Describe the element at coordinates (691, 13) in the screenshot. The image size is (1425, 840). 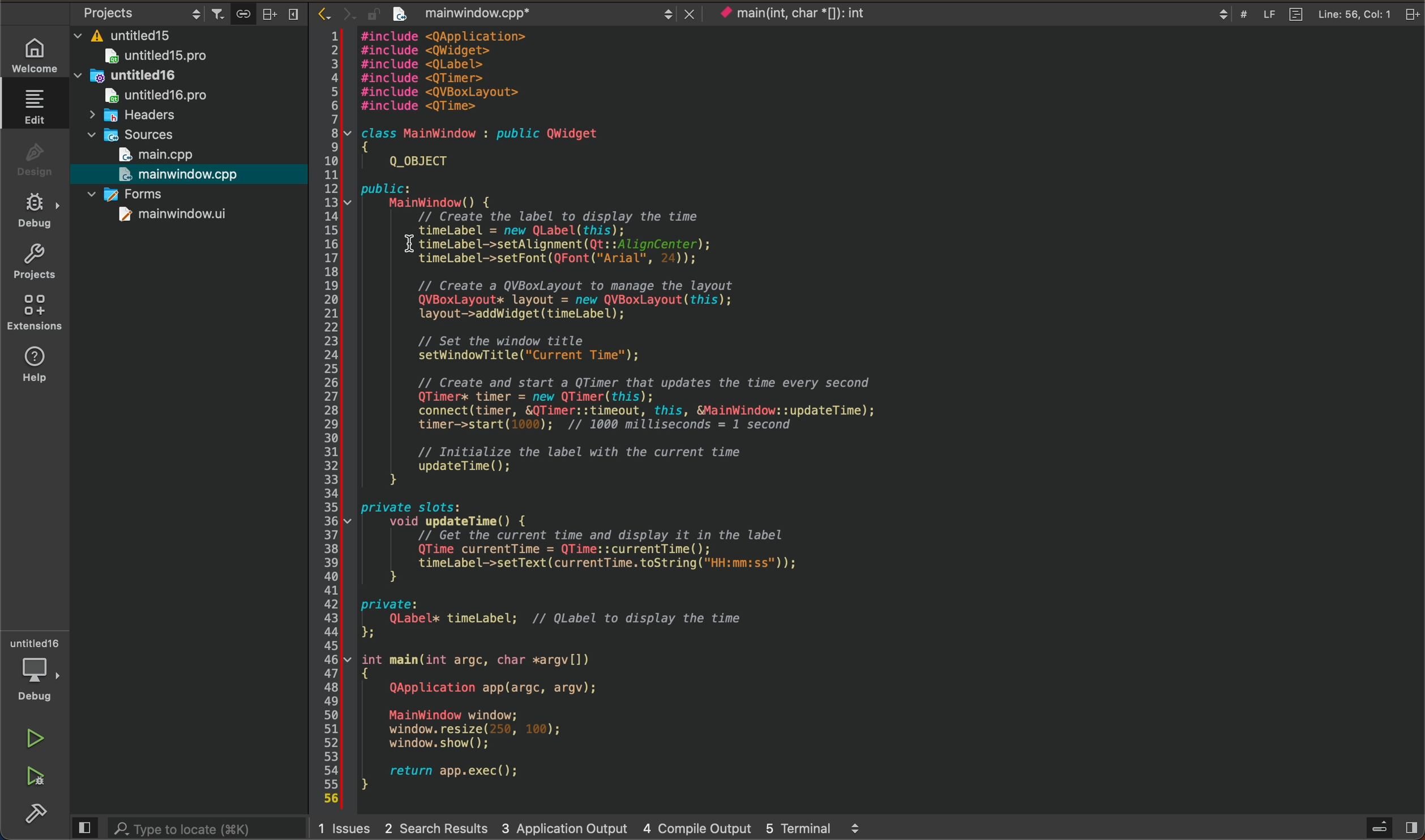
I see `close` at that location.